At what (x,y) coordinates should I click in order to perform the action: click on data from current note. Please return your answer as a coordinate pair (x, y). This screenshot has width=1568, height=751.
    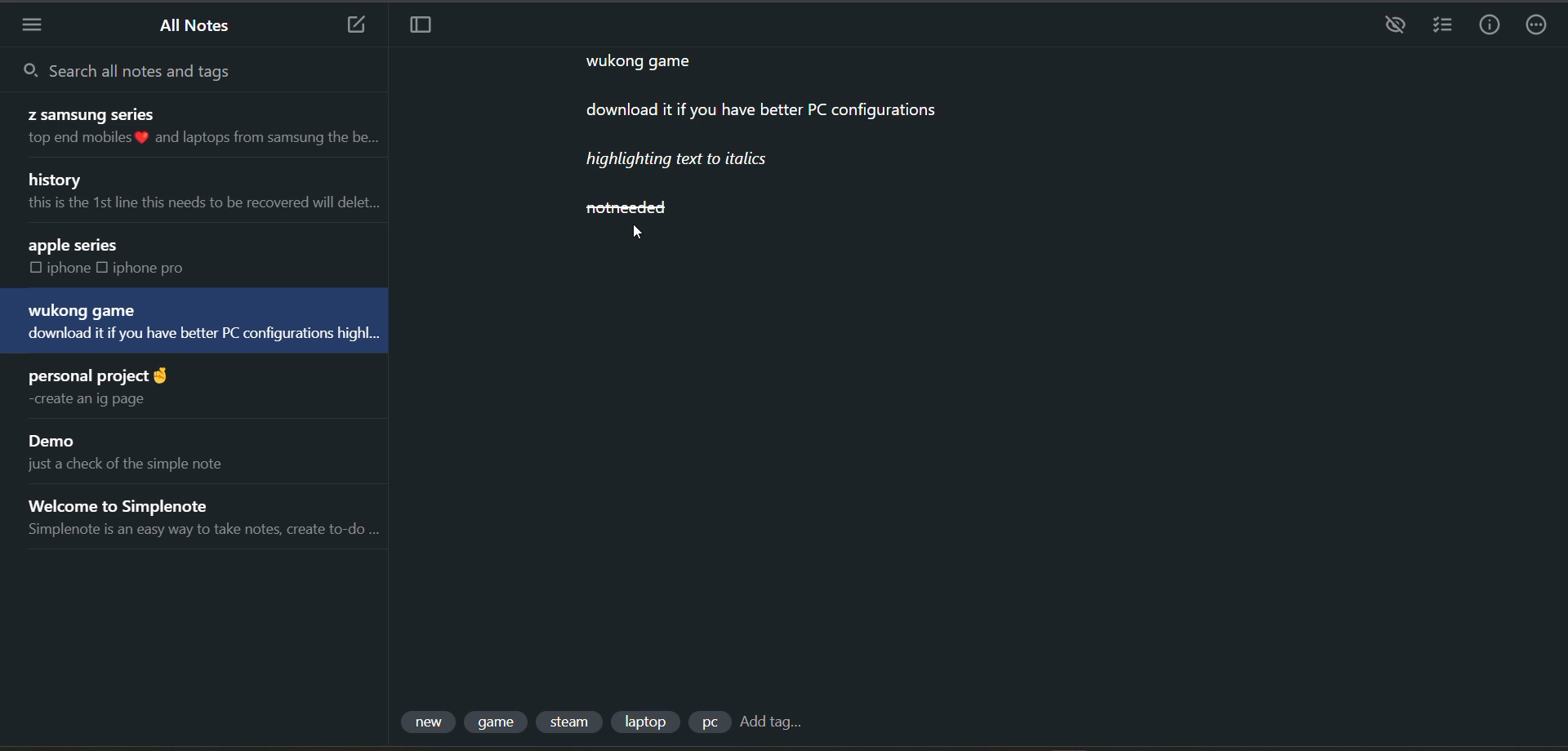
    Looking at the image, I should click on (789, 132).